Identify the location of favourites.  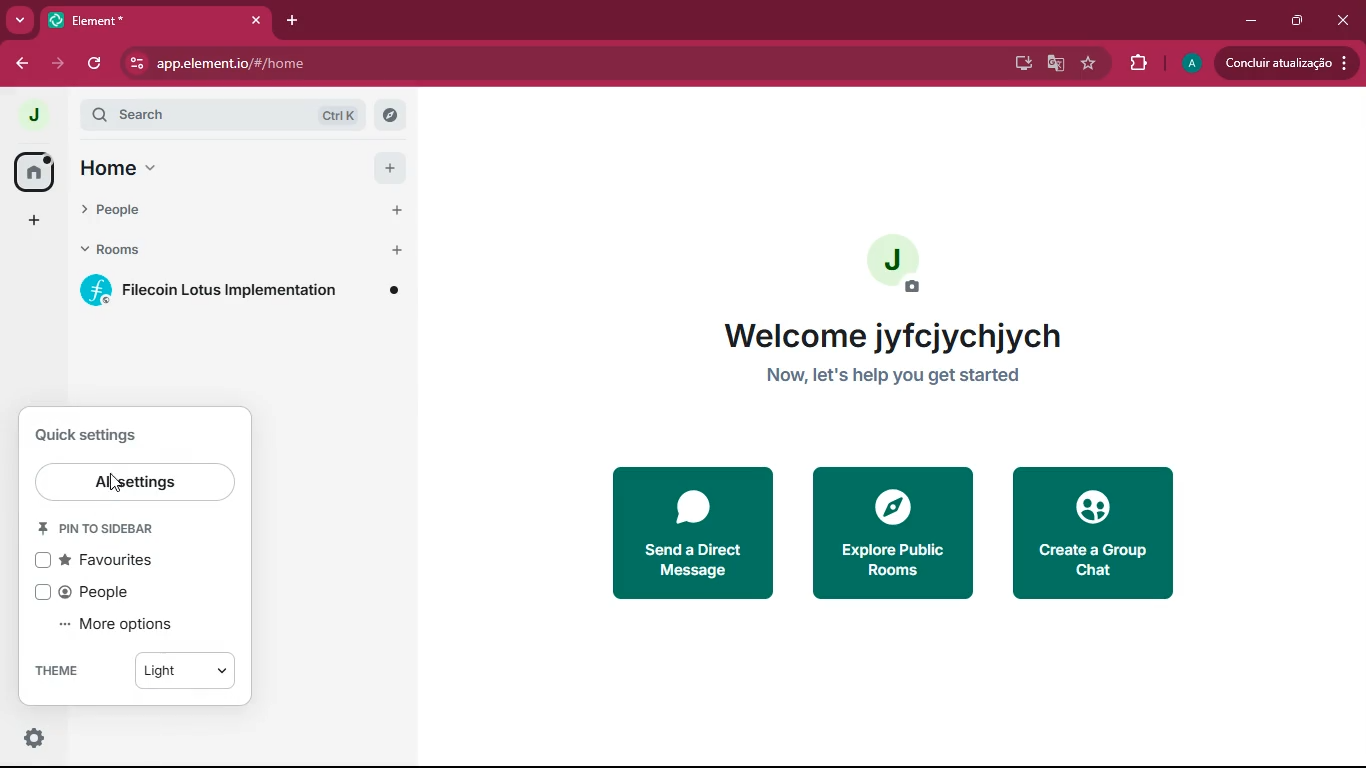
(114, 561).